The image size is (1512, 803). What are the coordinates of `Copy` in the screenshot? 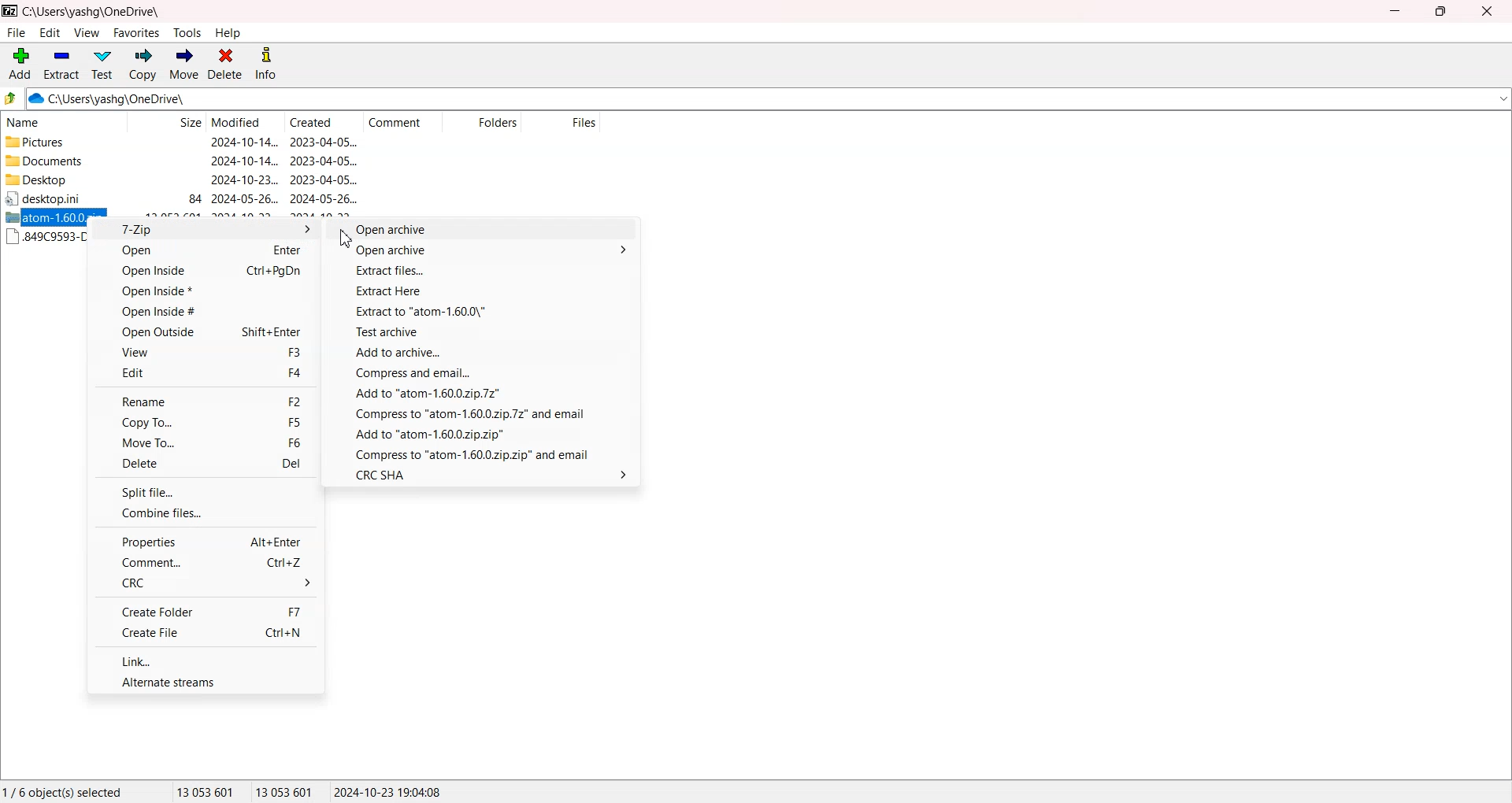 It's located at (142, 65).